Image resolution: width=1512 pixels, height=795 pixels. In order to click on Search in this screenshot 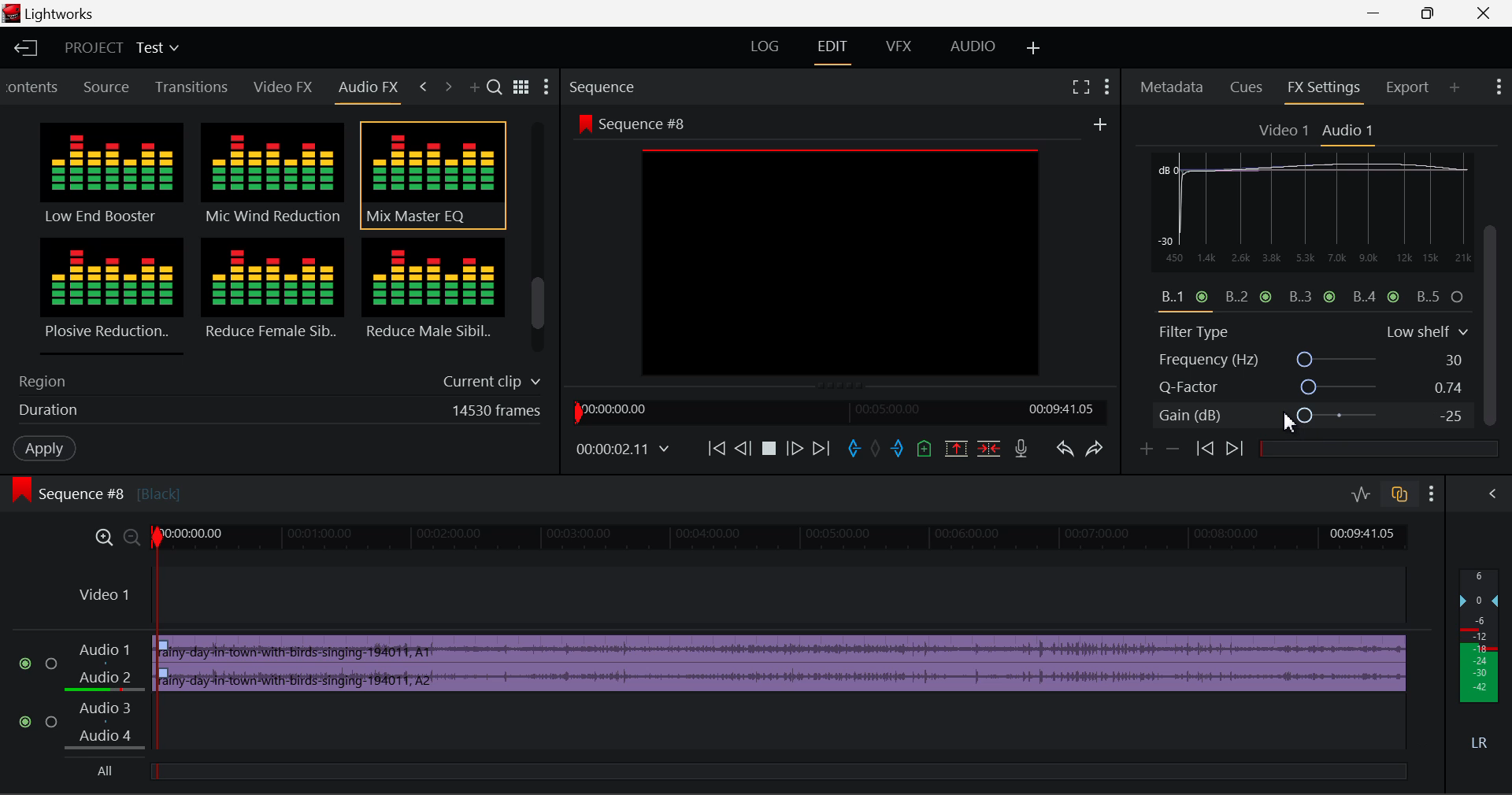, I will do `click(497, 88)`.